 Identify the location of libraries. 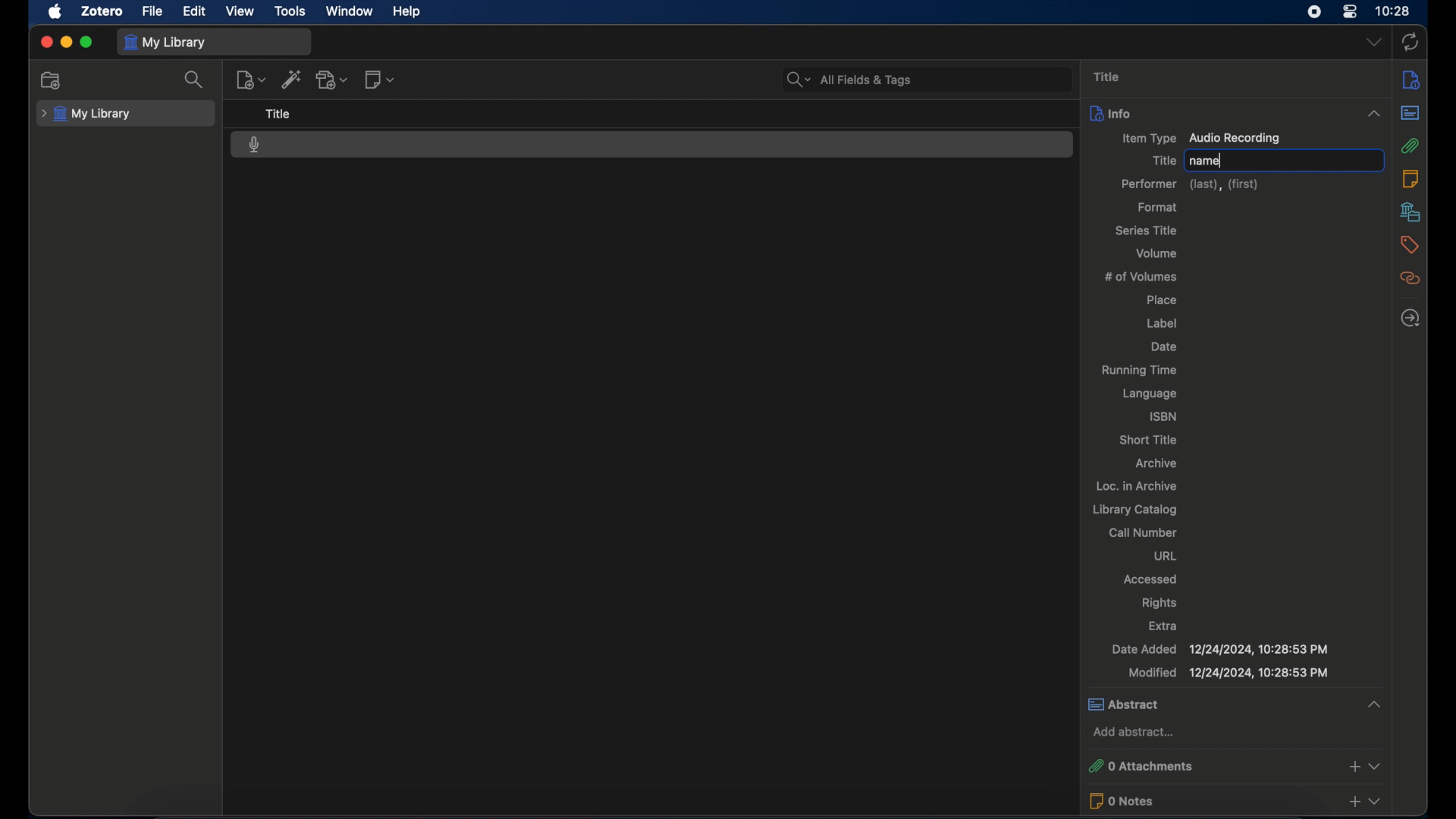
(1411, 212).